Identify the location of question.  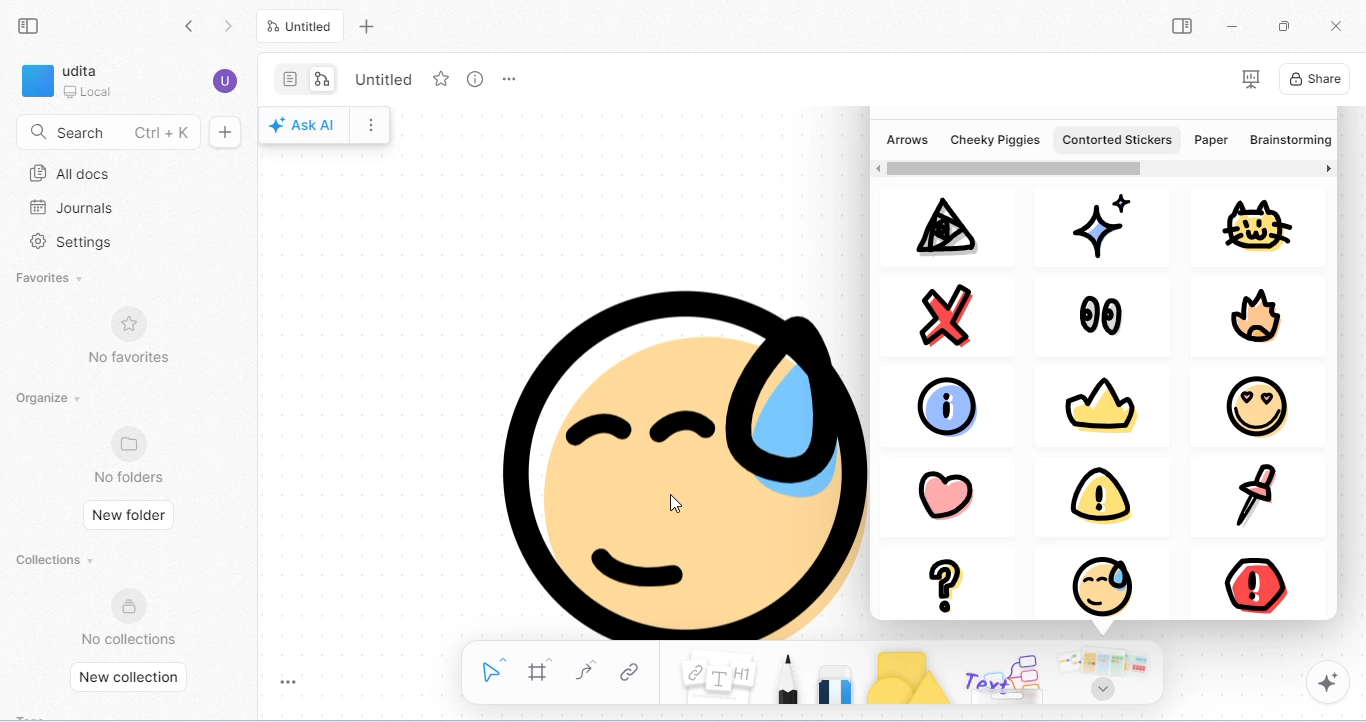
(949, 583).